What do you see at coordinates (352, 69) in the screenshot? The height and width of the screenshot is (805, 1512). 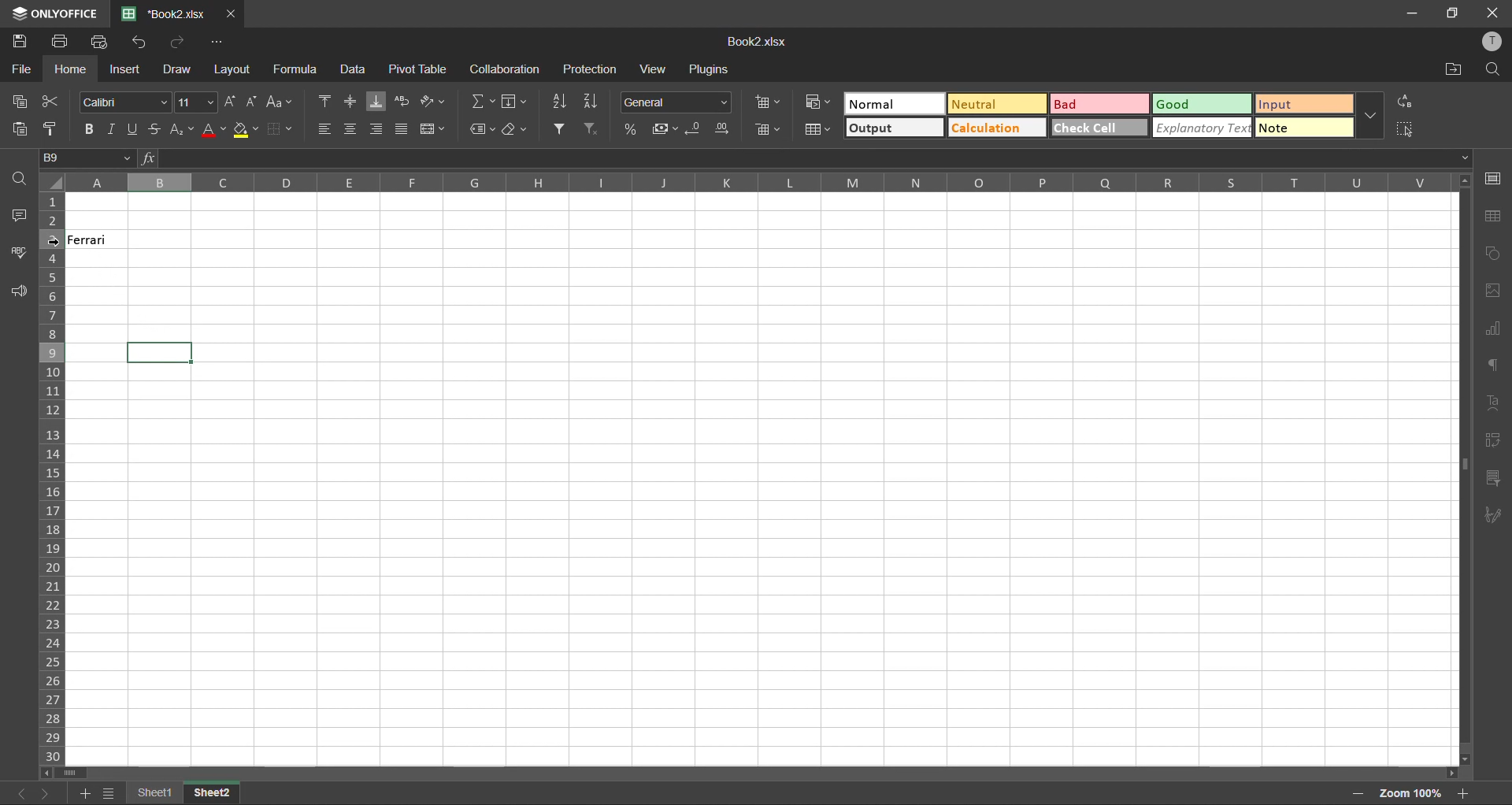 I see `data` at bounding box center [352, 69].